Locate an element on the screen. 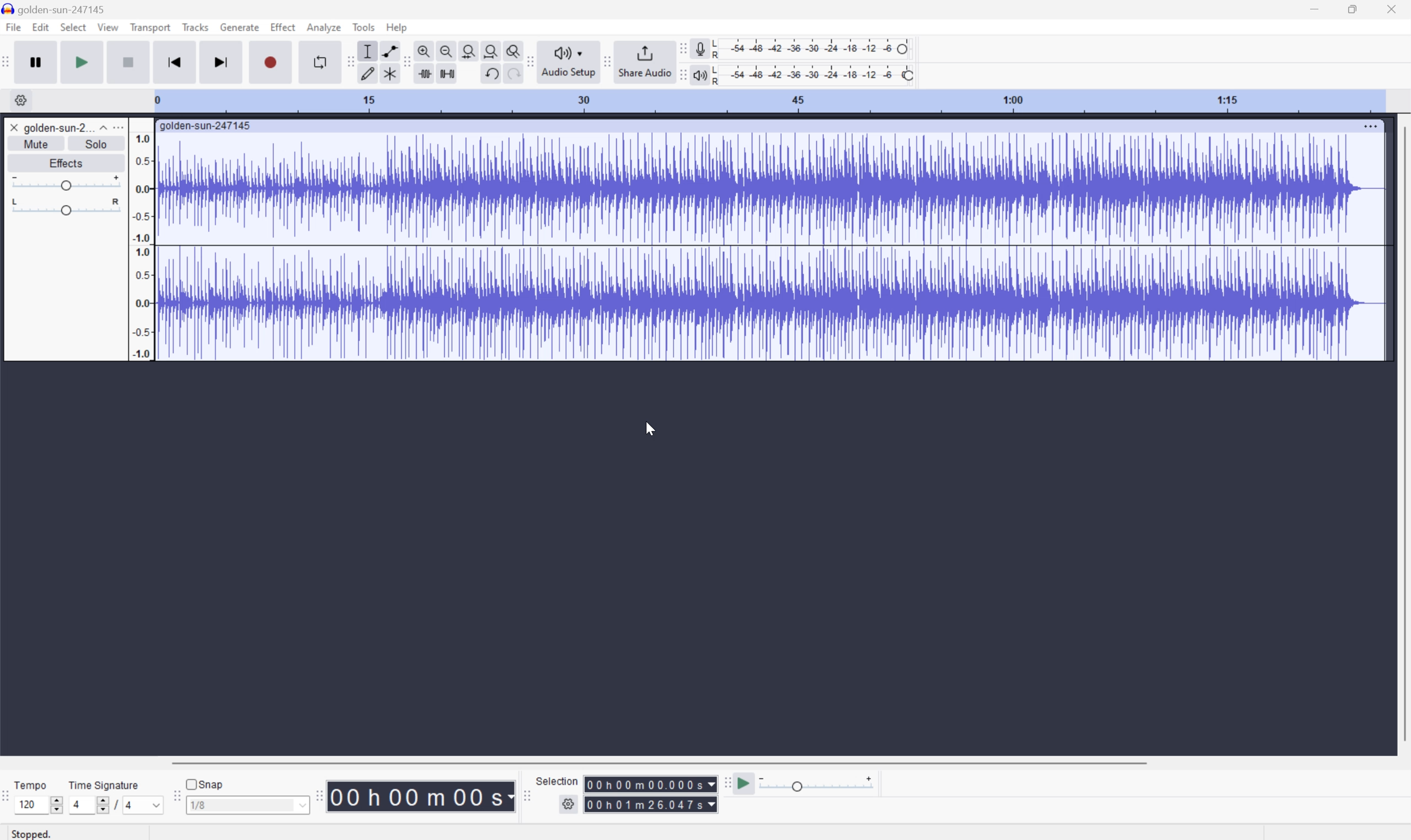  Tracks is located at coordinates (195, 26).